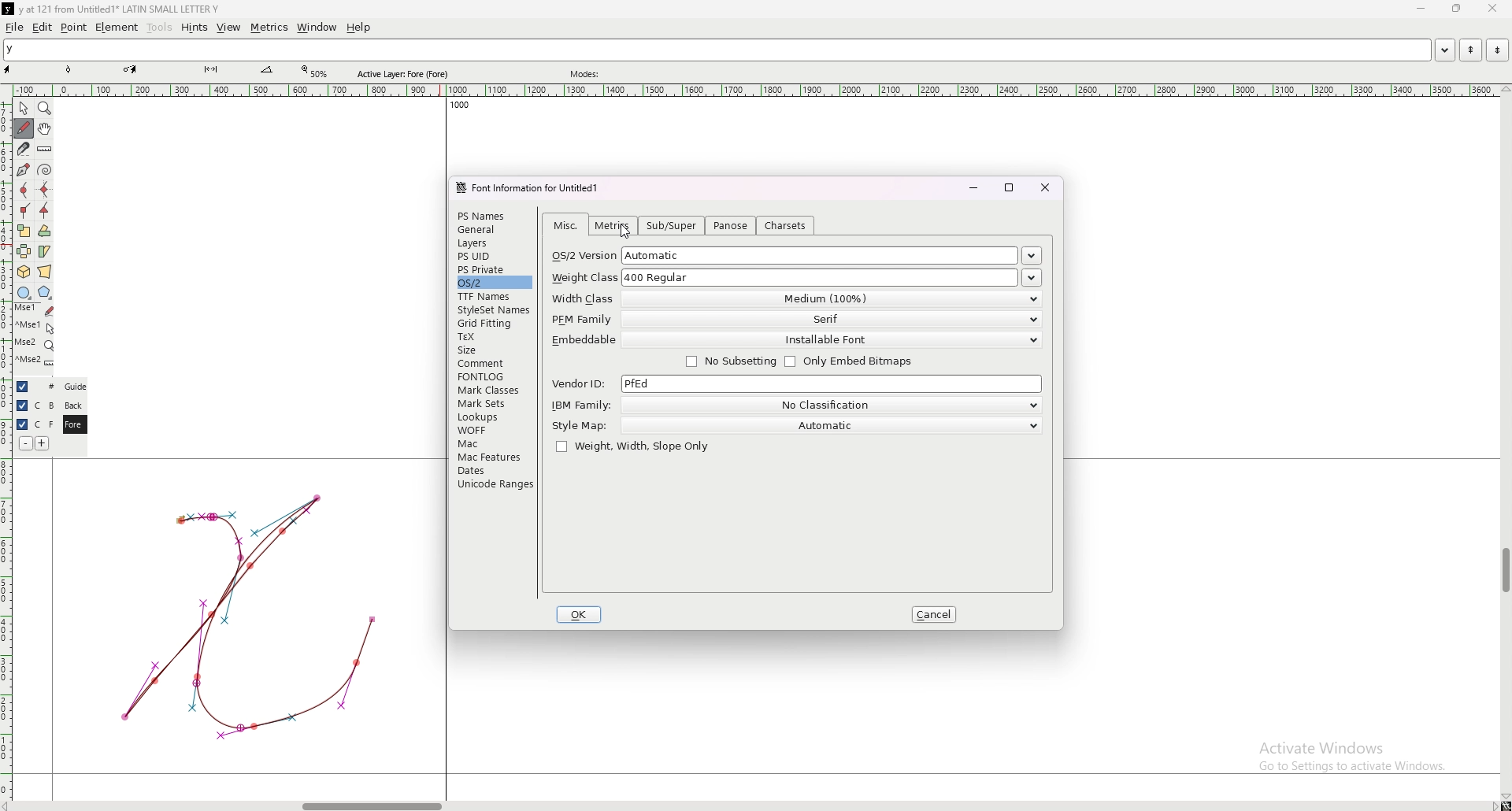  What do you see at coordinates (717, 50) in the screenshot?
I see `y` at bounding box center [717, 50].